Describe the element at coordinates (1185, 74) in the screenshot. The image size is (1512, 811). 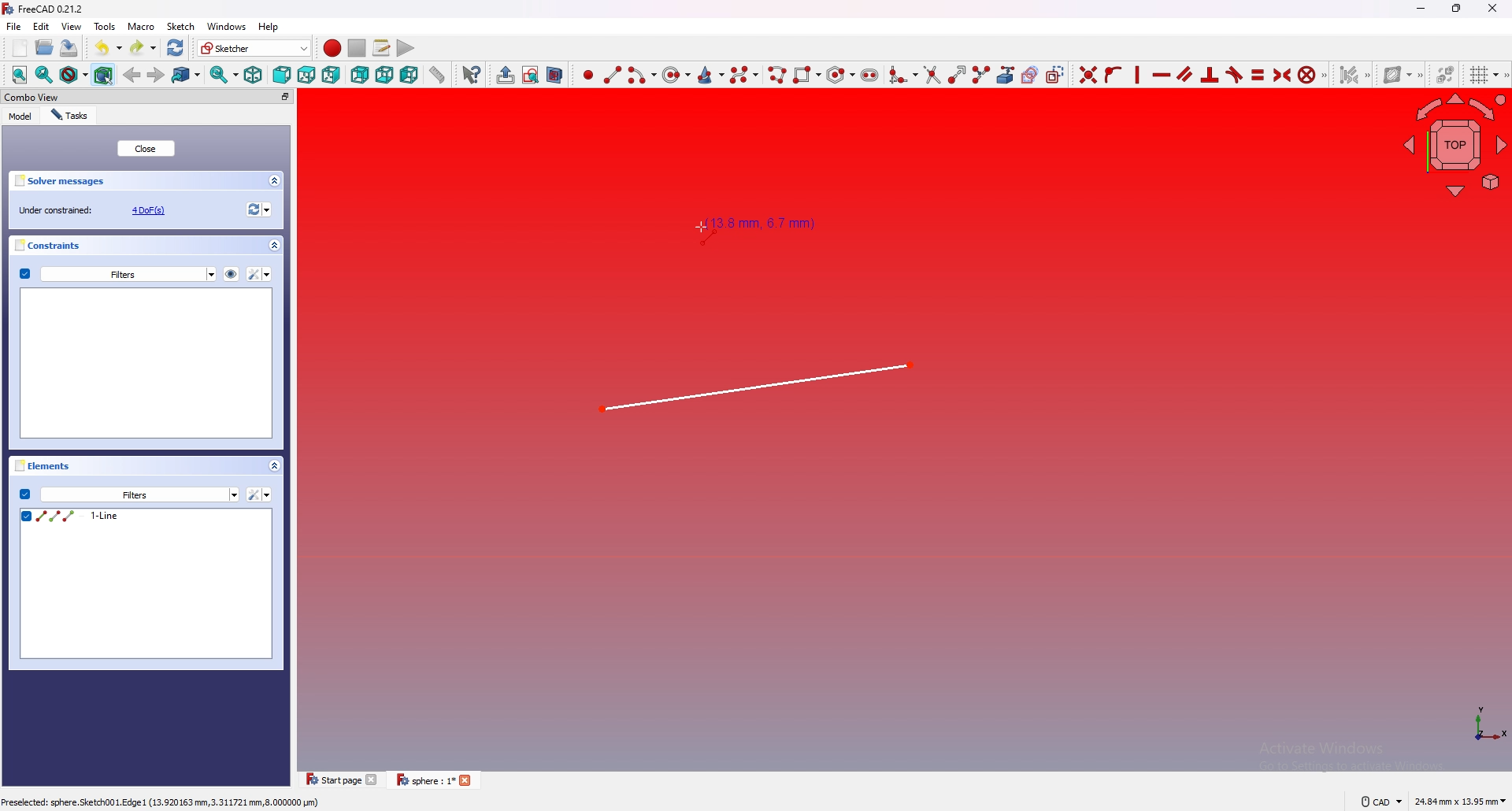
I see `Constrain parallel` at that location.